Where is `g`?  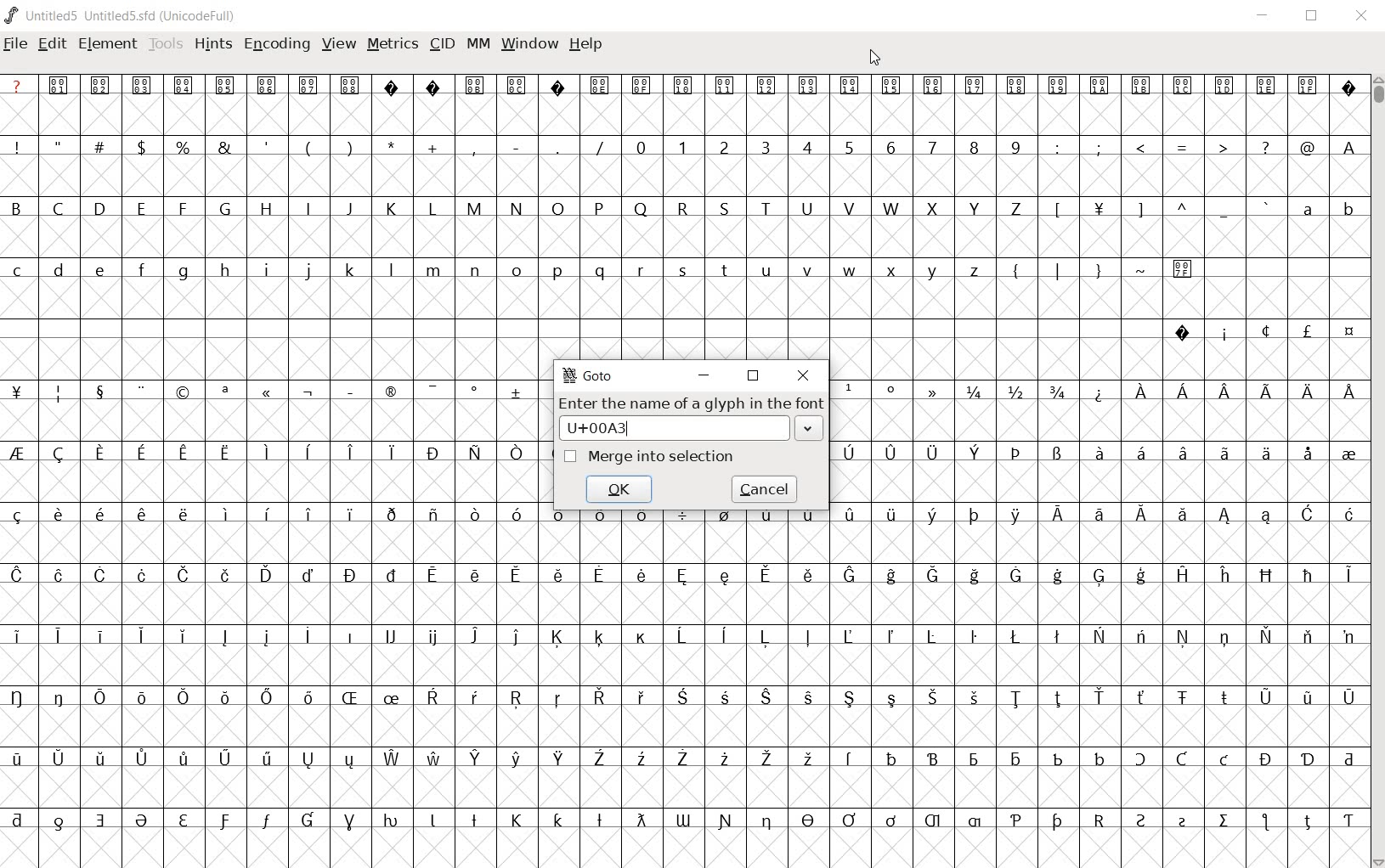 g is located at coordinates (183, 271).